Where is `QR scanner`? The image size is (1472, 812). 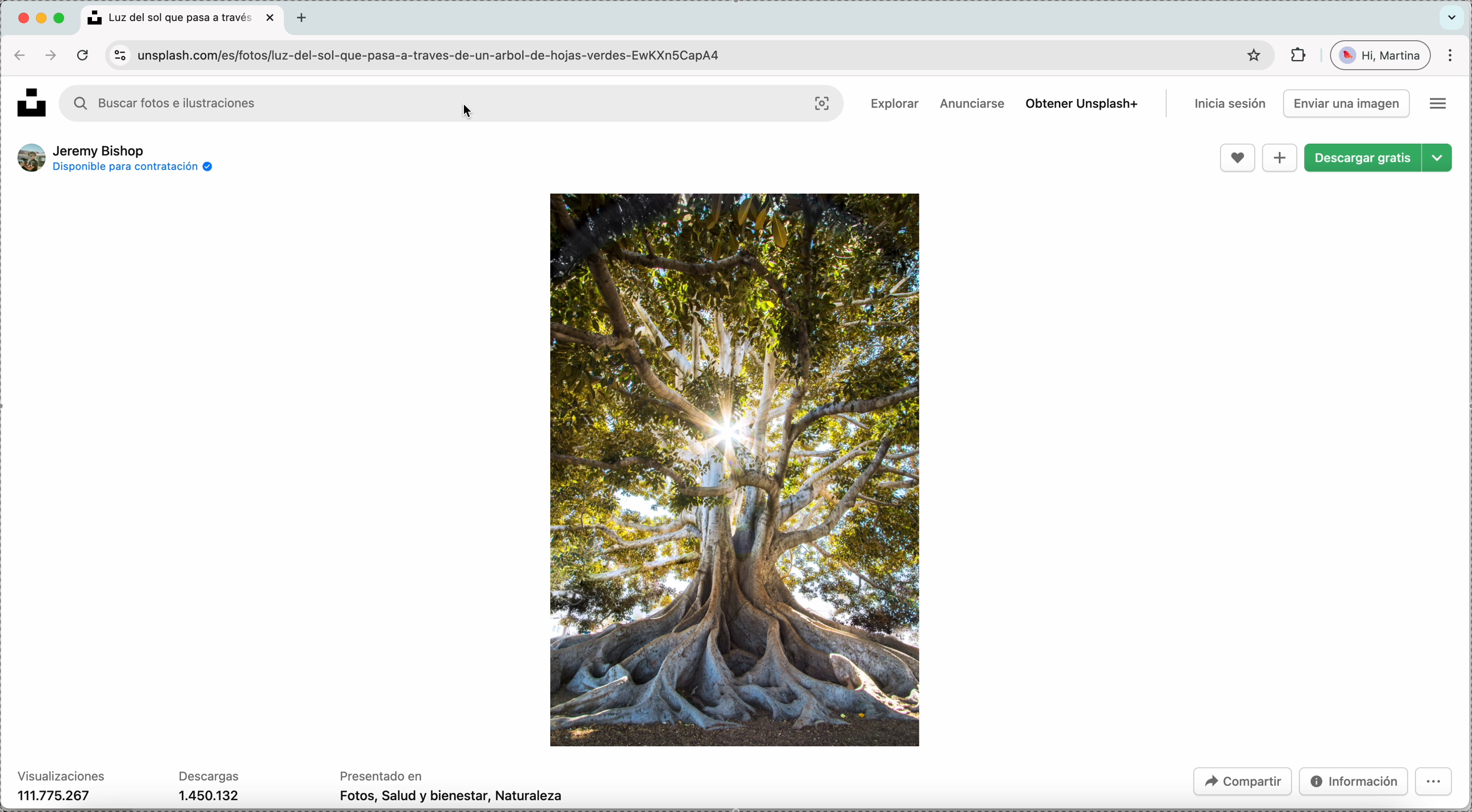
QR scanner is located at coordinates (823, 104).